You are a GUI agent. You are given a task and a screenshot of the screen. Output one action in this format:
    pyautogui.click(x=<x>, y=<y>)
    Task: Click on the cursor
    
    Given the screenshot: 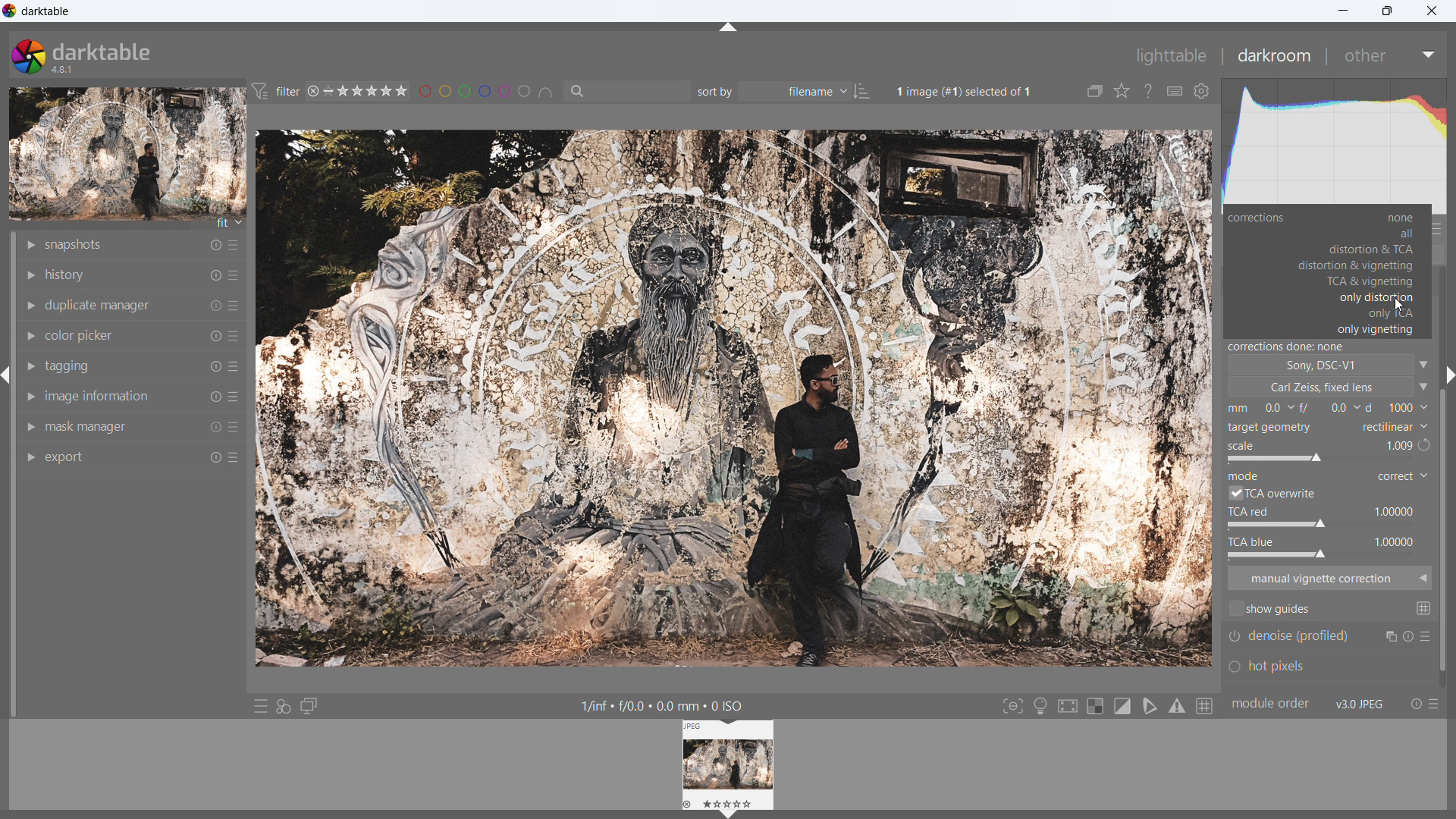 What is the action you would take?
    pyautogui.click(x=1398, y=301)
    